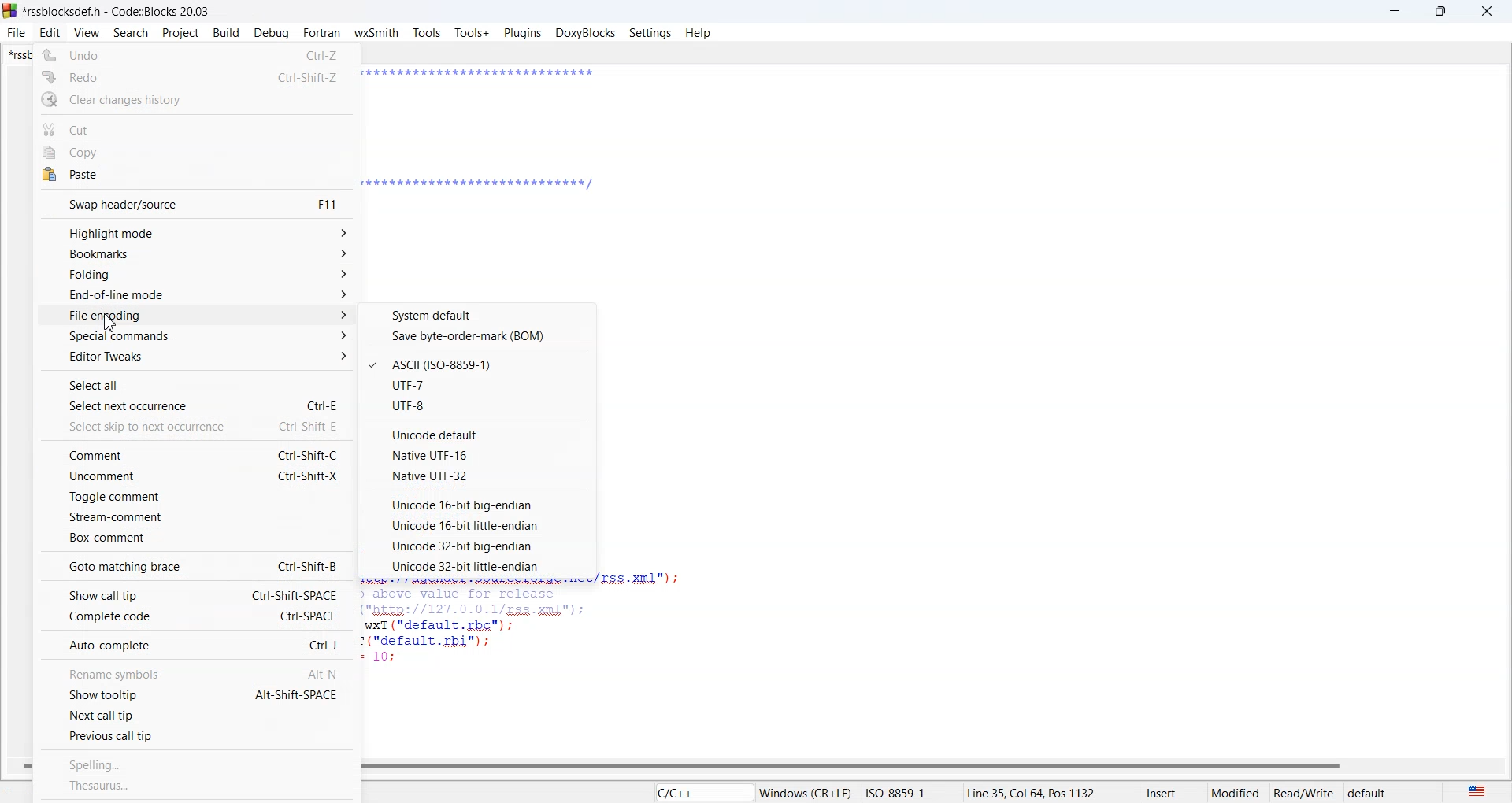  I want to click on Undo, so click(195, 54).